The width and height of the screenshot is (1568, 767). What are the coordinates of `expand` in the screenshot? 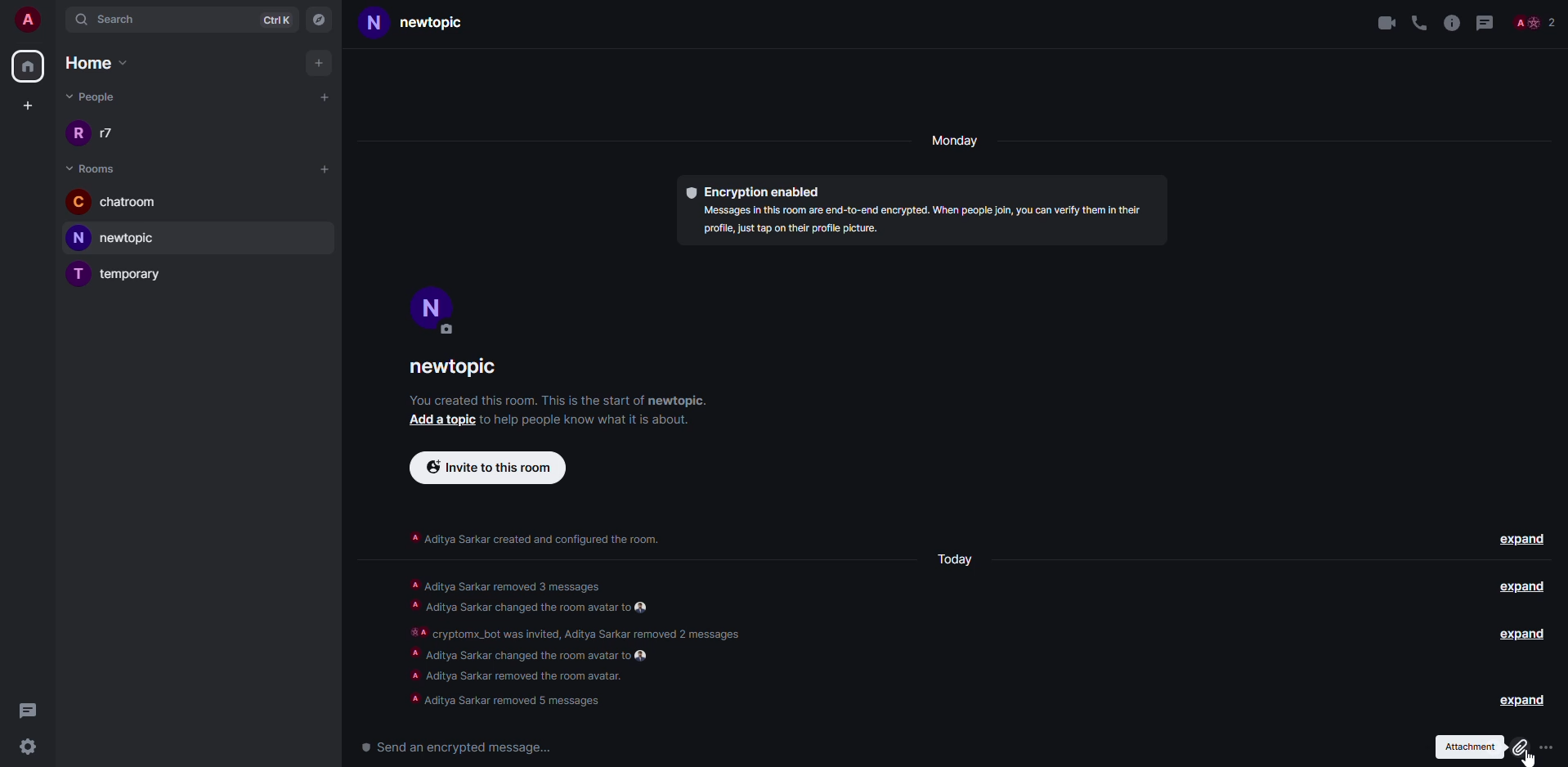 It's located at (1519, 702).